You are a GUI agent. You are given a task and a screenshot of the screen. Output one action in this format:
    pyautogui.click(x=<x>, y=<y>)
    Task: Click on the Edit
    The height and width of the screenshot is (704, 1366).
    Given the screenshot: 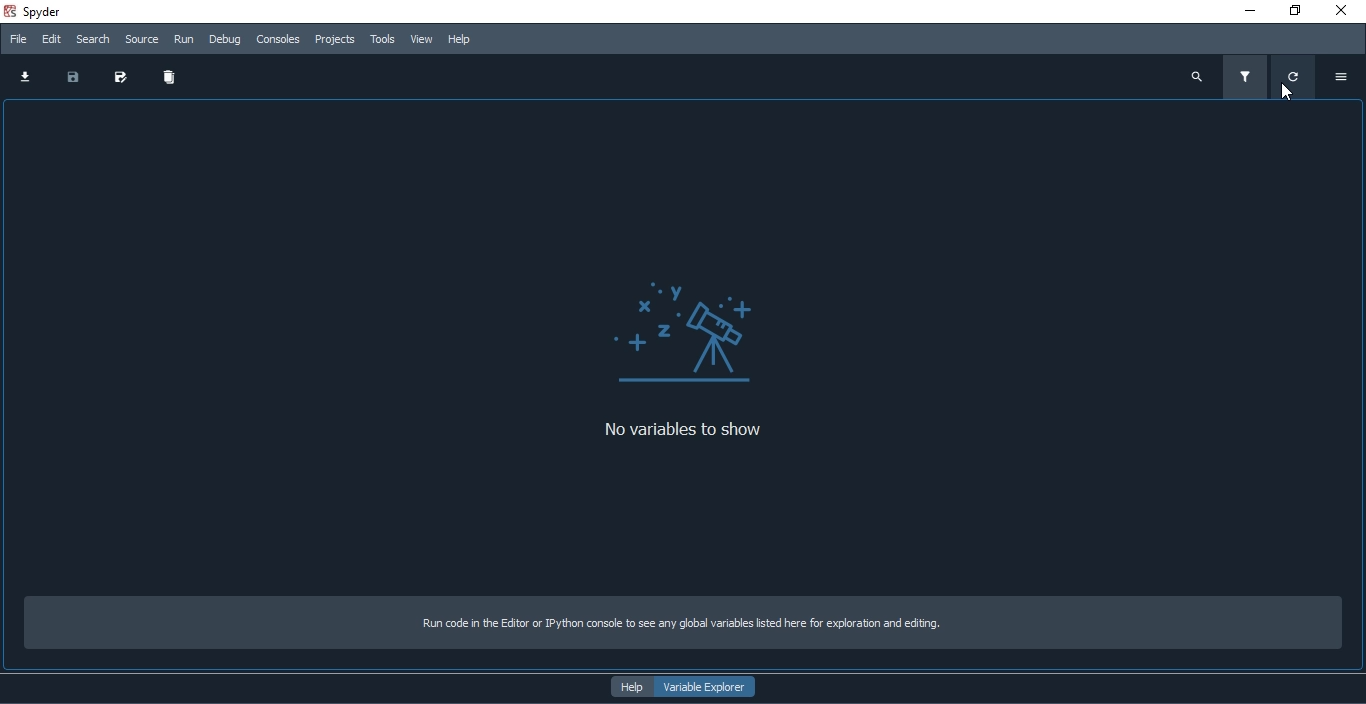 What is the action you would take?
    pyautogui.click(x=52, y=38)
    